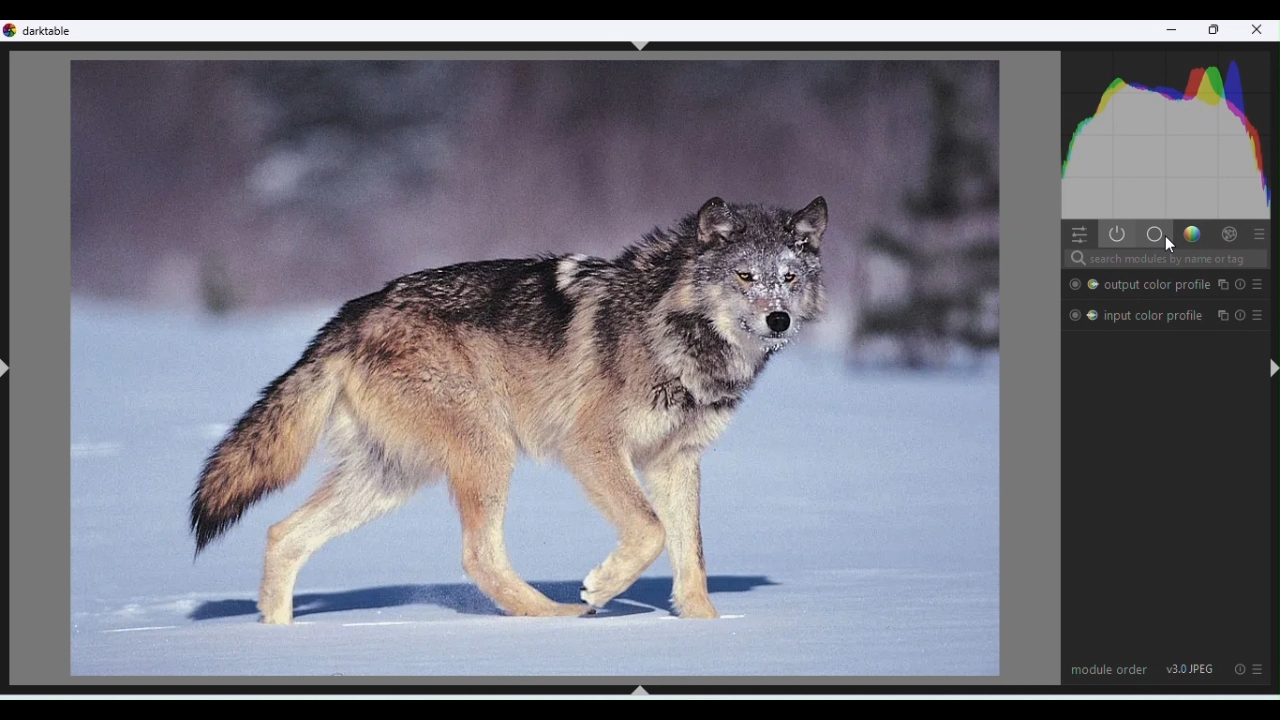  What do you see at coordinates (1171, 31) in the screenshot?
I see `Minimise` at bounding box center [1171, 31].